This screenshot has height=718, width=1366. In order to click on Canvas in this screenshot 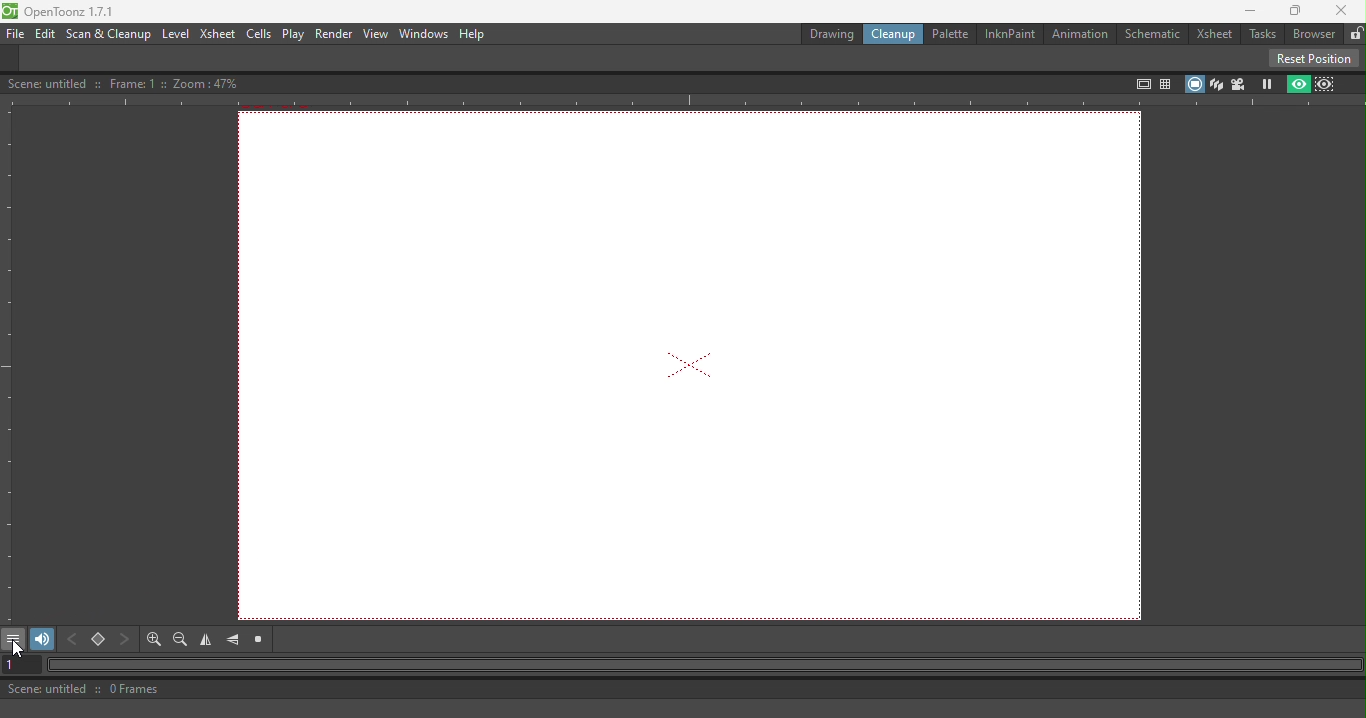, I will do `click(696, 367)`.